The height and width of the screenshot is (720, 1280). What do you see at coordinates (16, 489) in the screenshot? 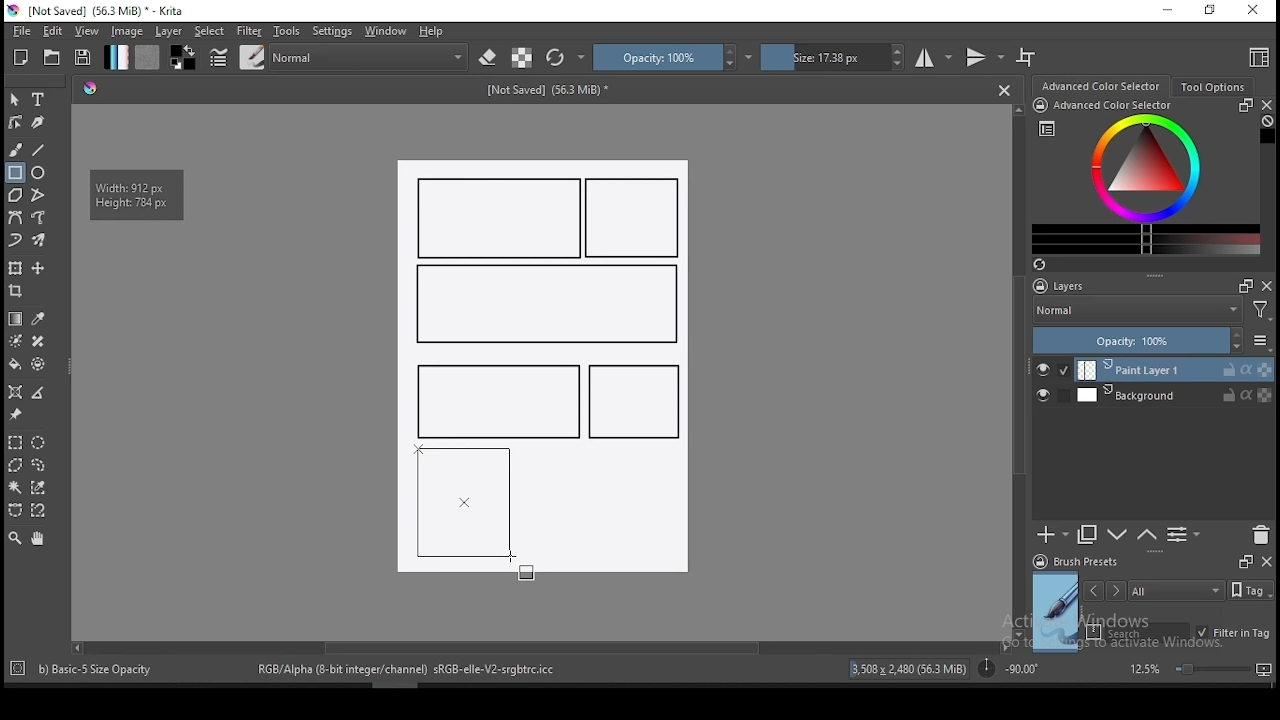
I see `contiguous selection tool` at bounding box center [16, 489].